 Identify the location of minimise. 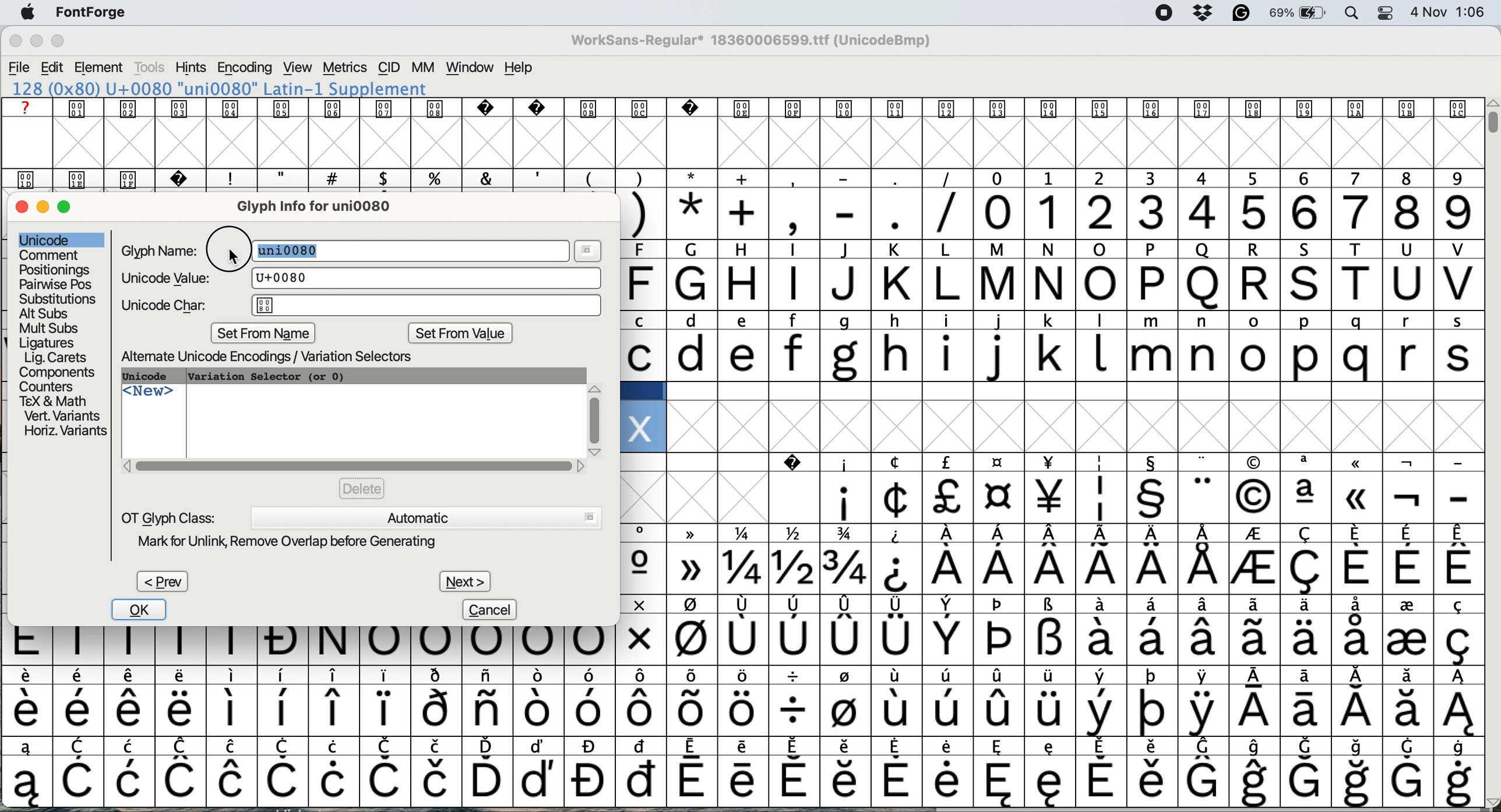
(35, 43).